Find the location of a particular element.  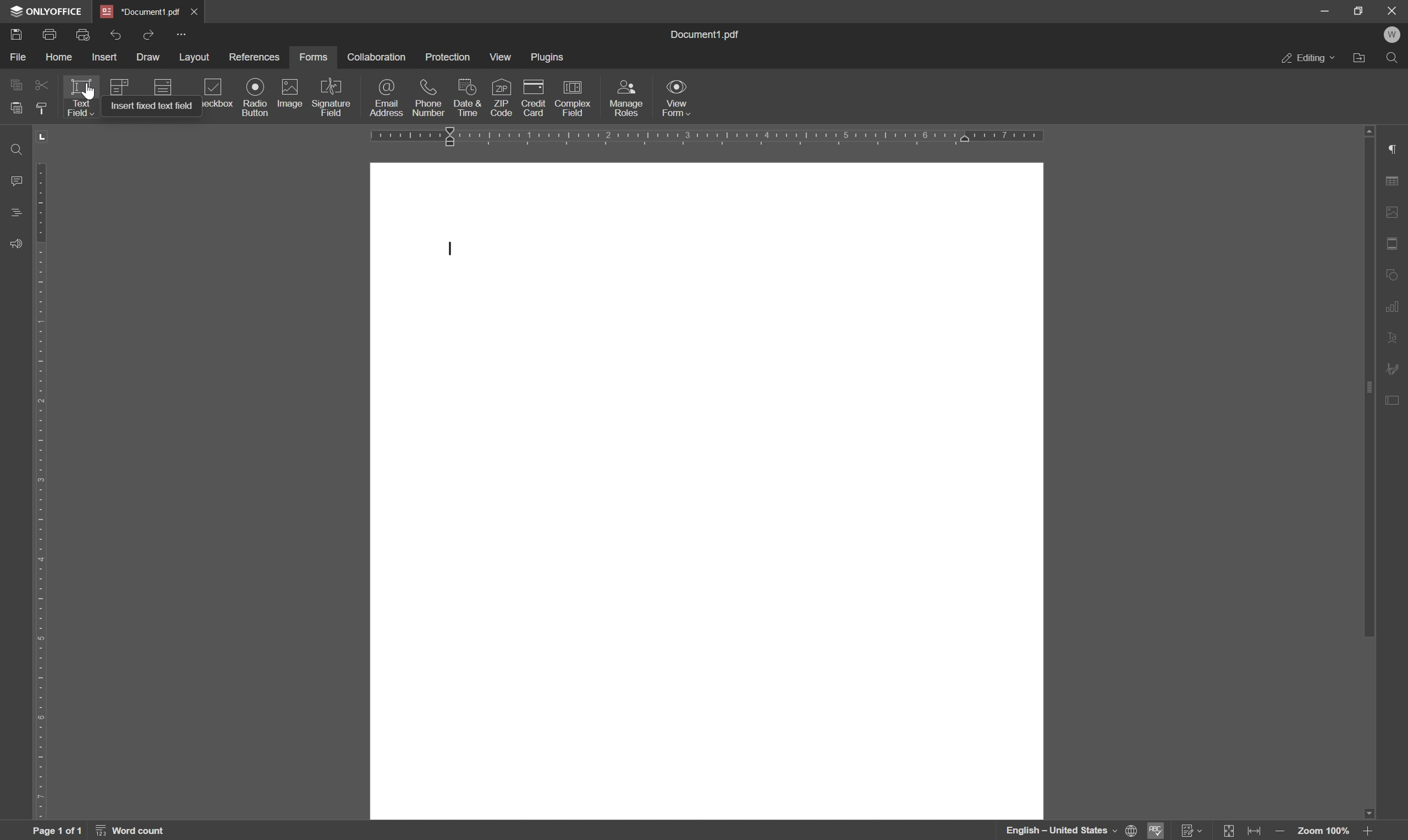

protection is located at coordinates (449, 55).